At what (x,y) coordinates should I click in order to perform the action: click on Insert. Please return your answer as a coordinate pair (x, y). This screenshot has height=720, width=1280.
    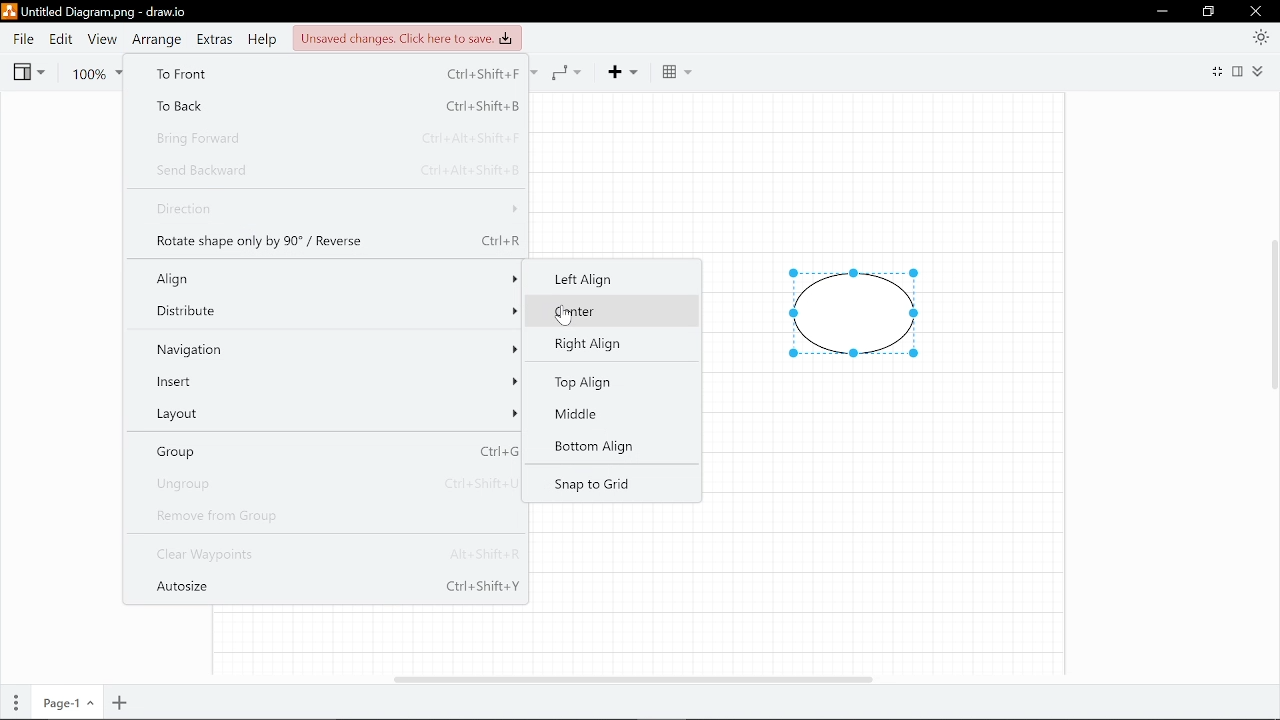
    Looking at the image, I should click on (331, 380).